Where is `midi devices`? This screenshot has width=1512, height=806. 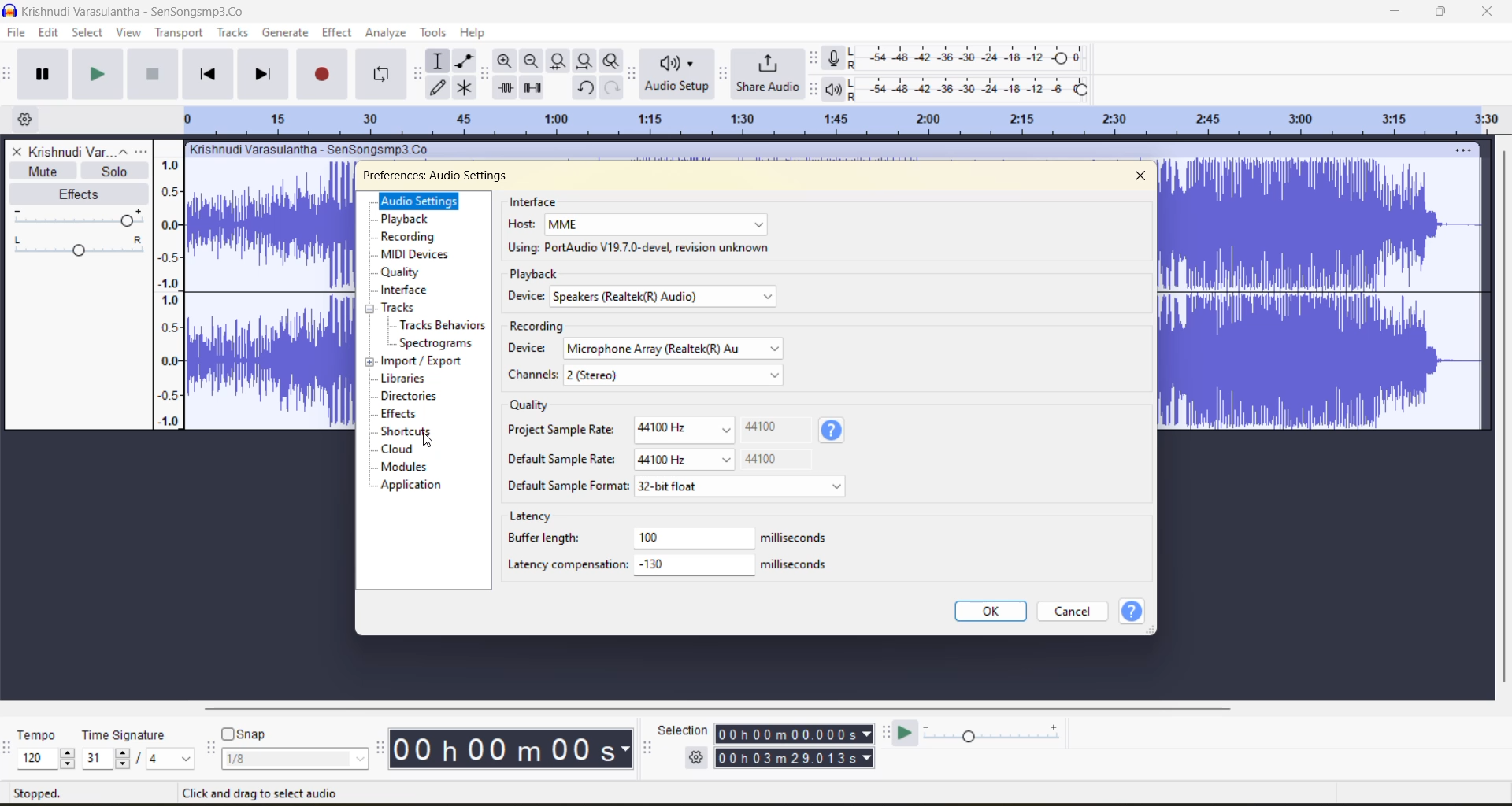 midi devices is located at coordinates (418, 254).